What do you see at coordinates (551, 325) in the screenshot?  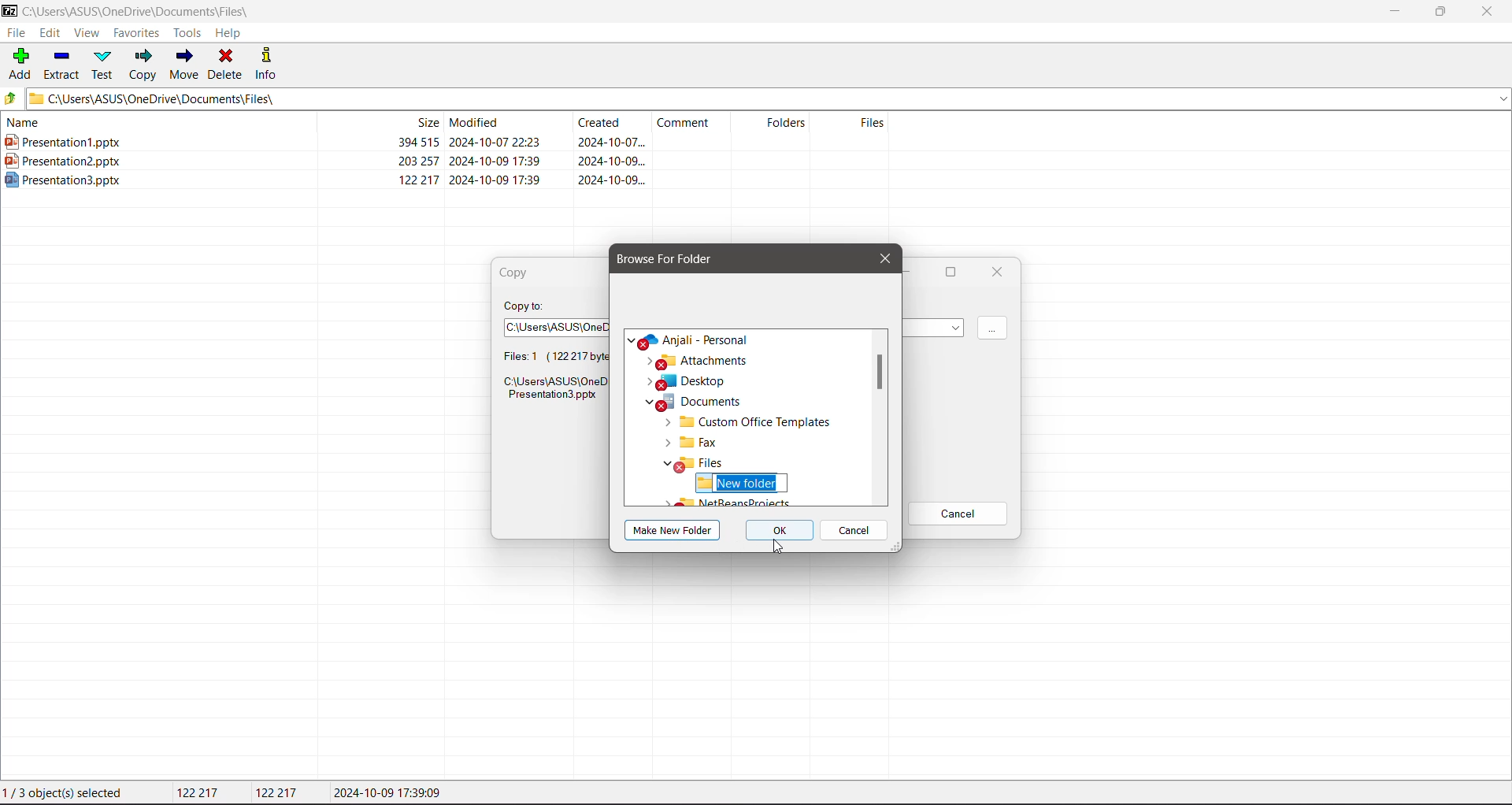 I see `Set the required path to paste the copied file to` at bounding box center [551, 325].